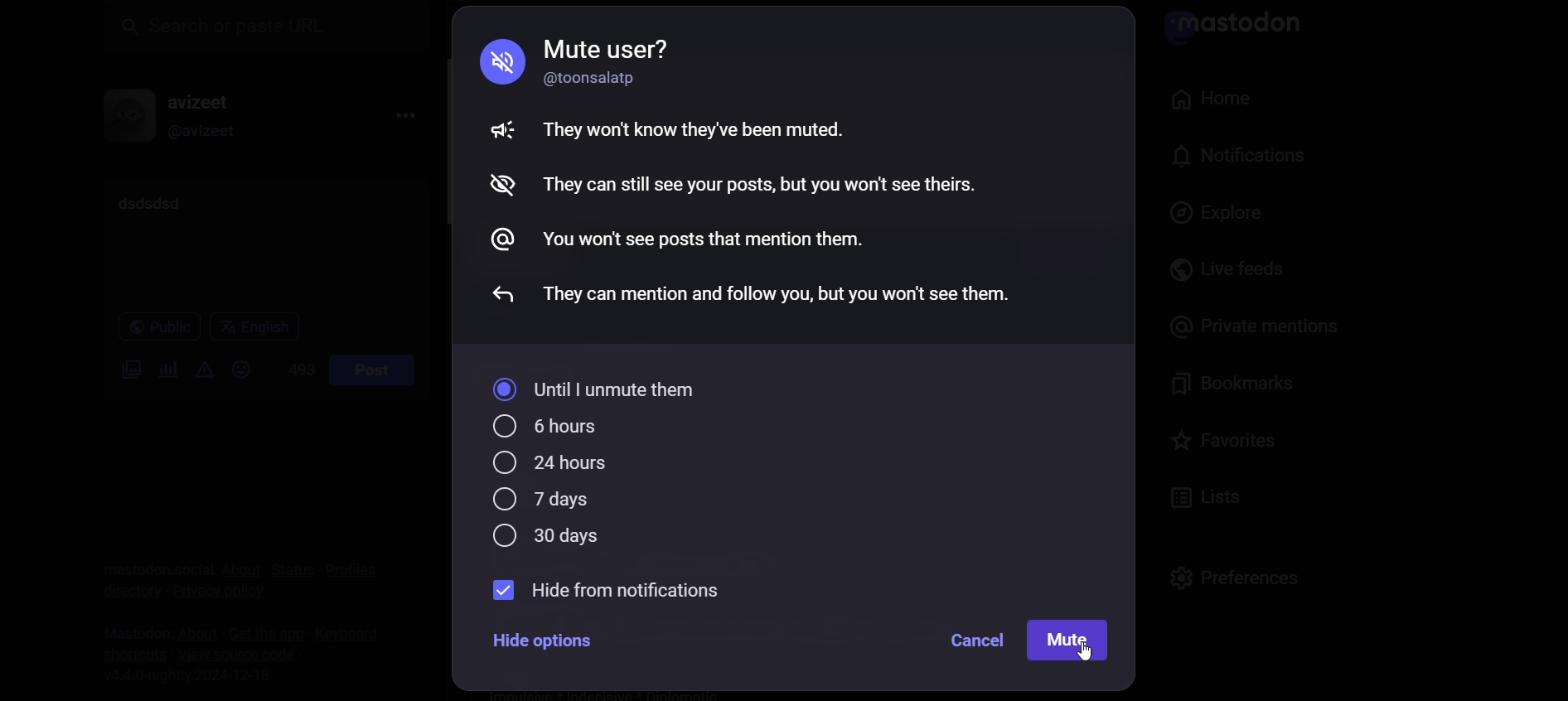  What do you see at coordinates (149, 330) in the screenshot?
I see `public` at bounding box center [149, 330].